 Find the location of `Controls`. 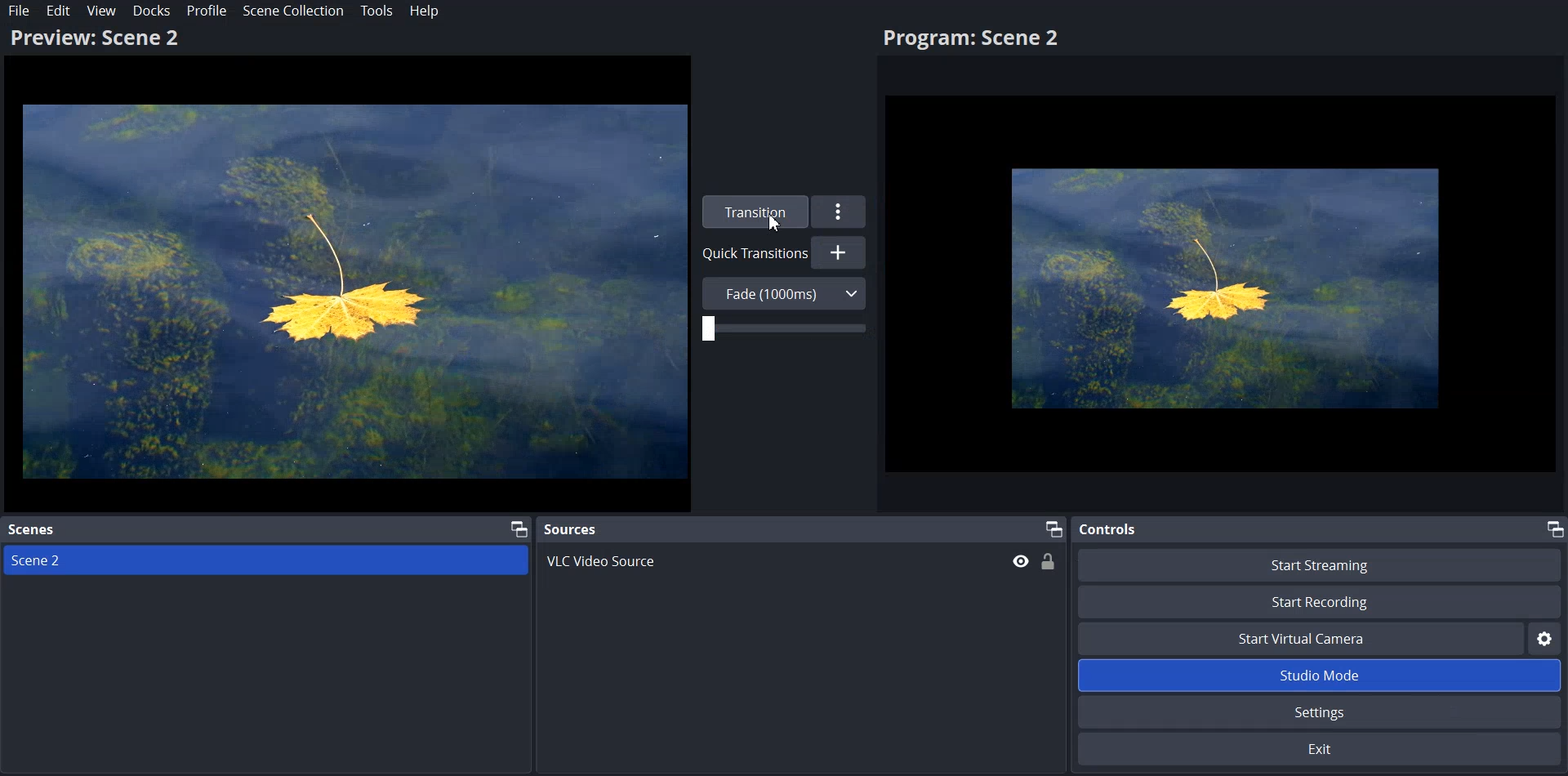

Controls is located at coordinates (1108, 529).